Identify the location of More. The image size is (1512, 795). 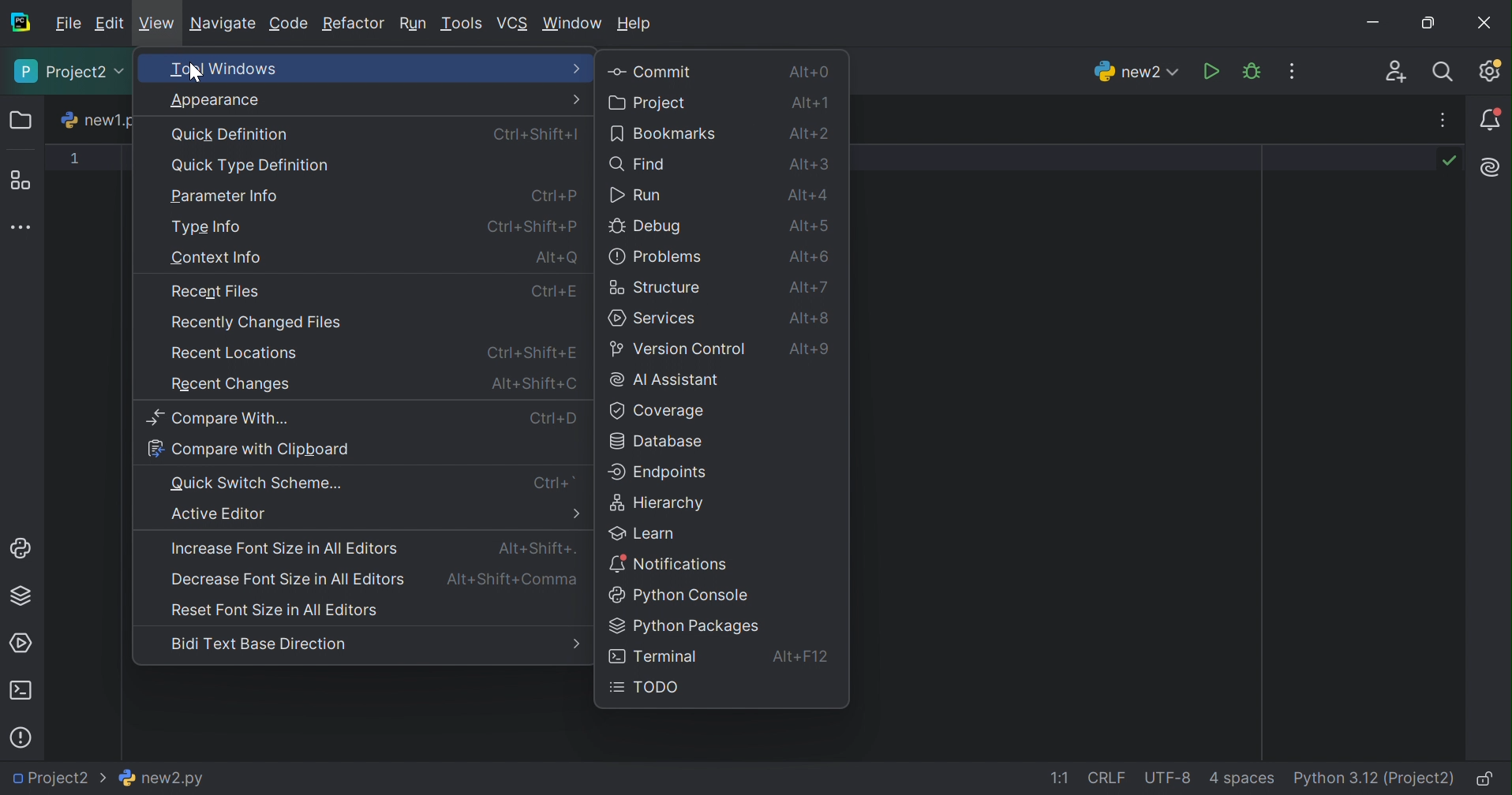
(574, 644).